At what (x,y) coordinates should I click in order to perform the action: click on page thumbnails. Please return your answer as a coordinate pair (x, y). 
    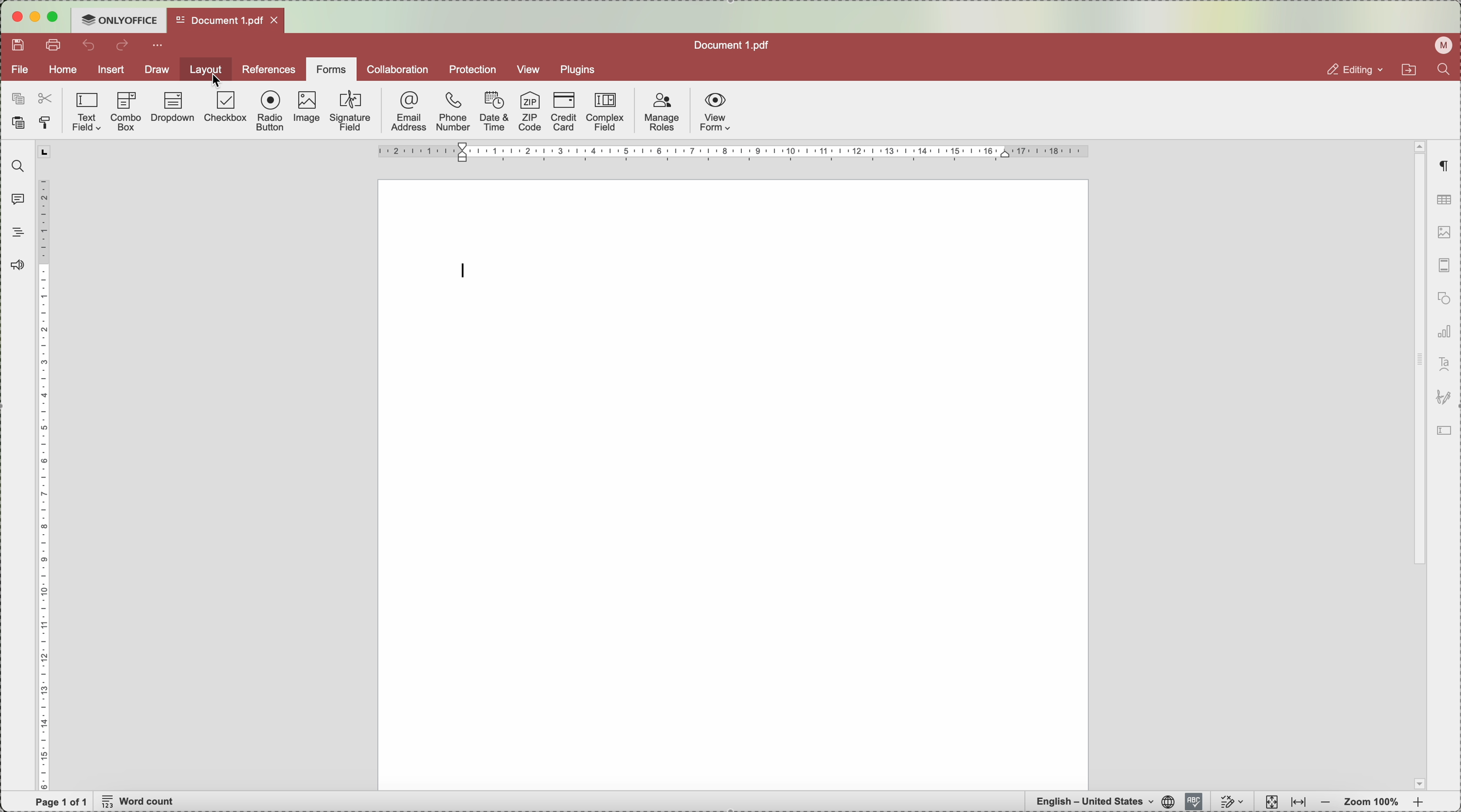
    Looking at the image, I should click on (1442, 268).